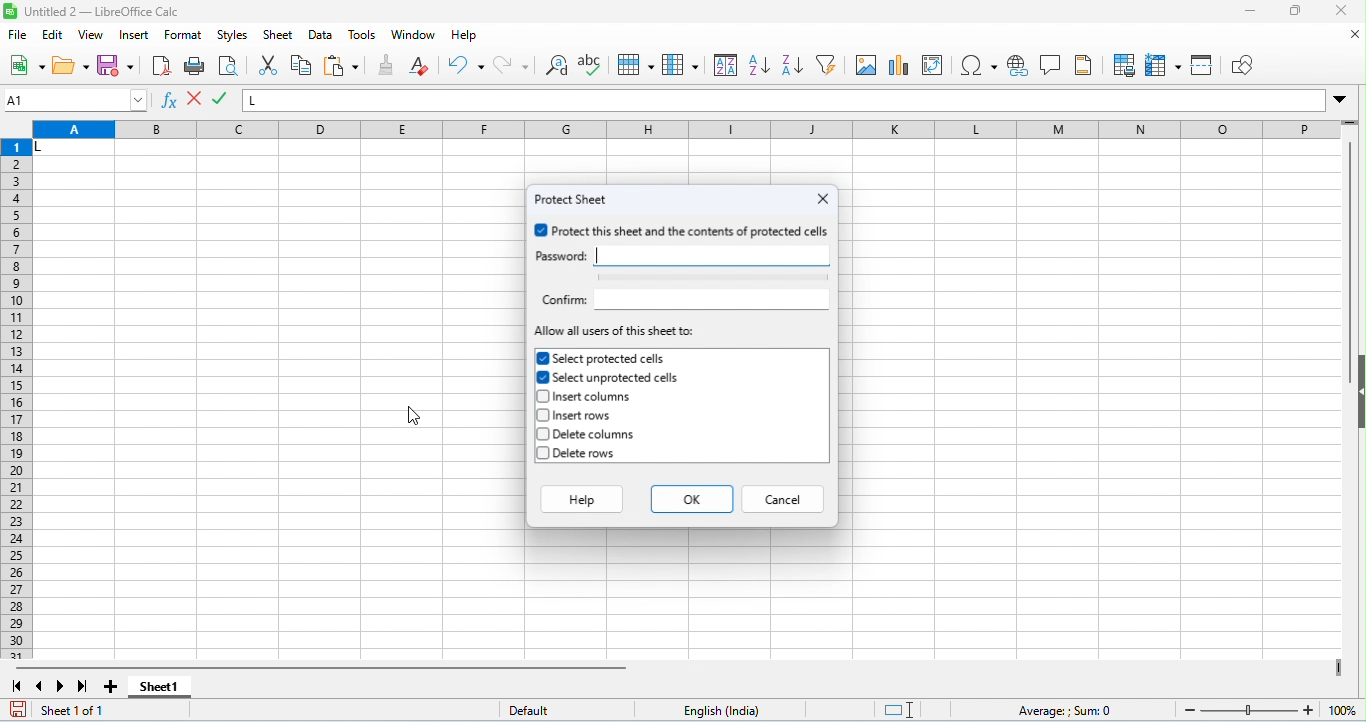  What do you see at coordinates (161, 65) in the screenshot?
I see `export pdf` at bounding box center [161, 65].